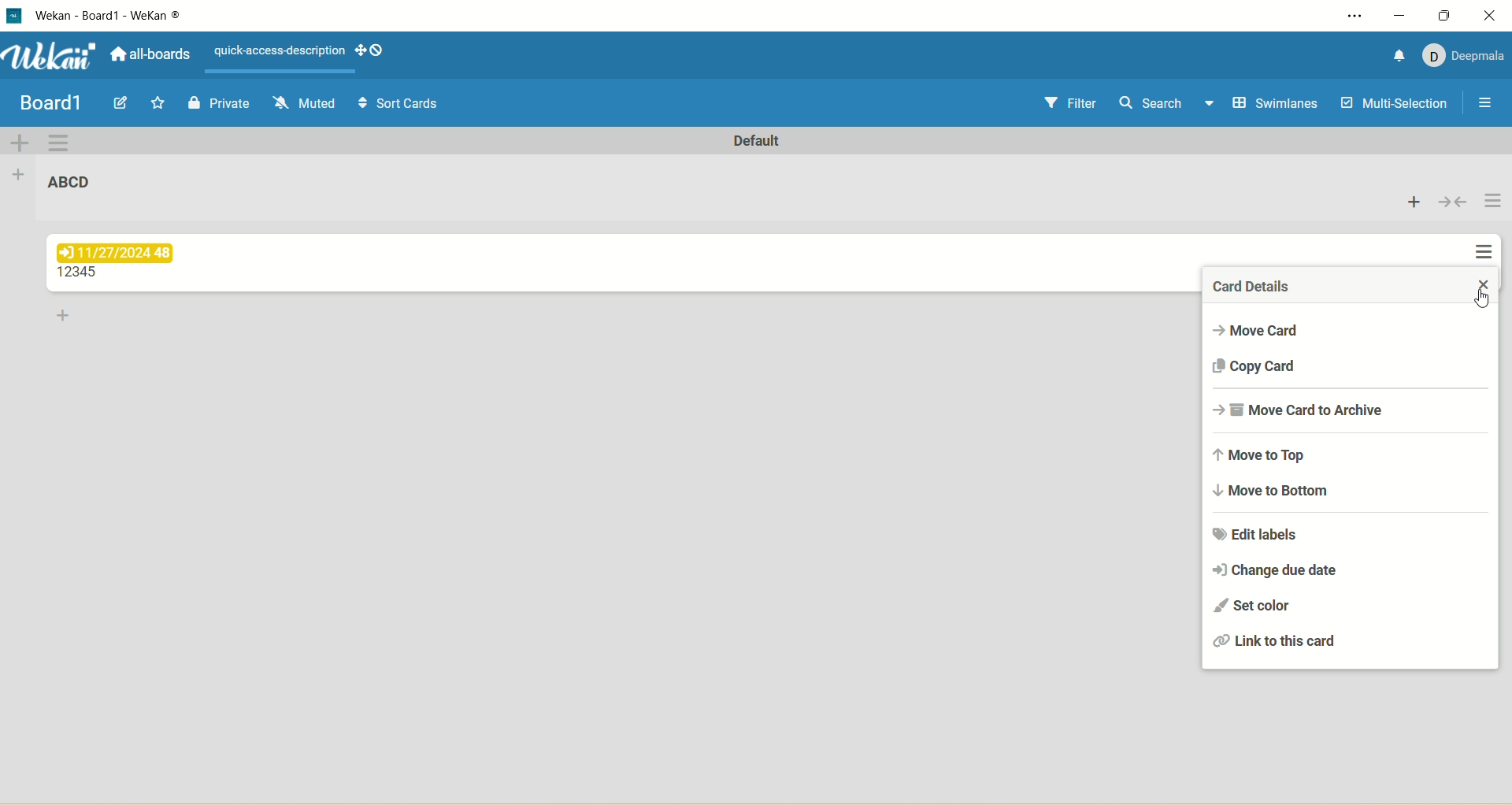 The width and height of the screenshot is (1512, 805). I want to click on text, so click(280, 51).